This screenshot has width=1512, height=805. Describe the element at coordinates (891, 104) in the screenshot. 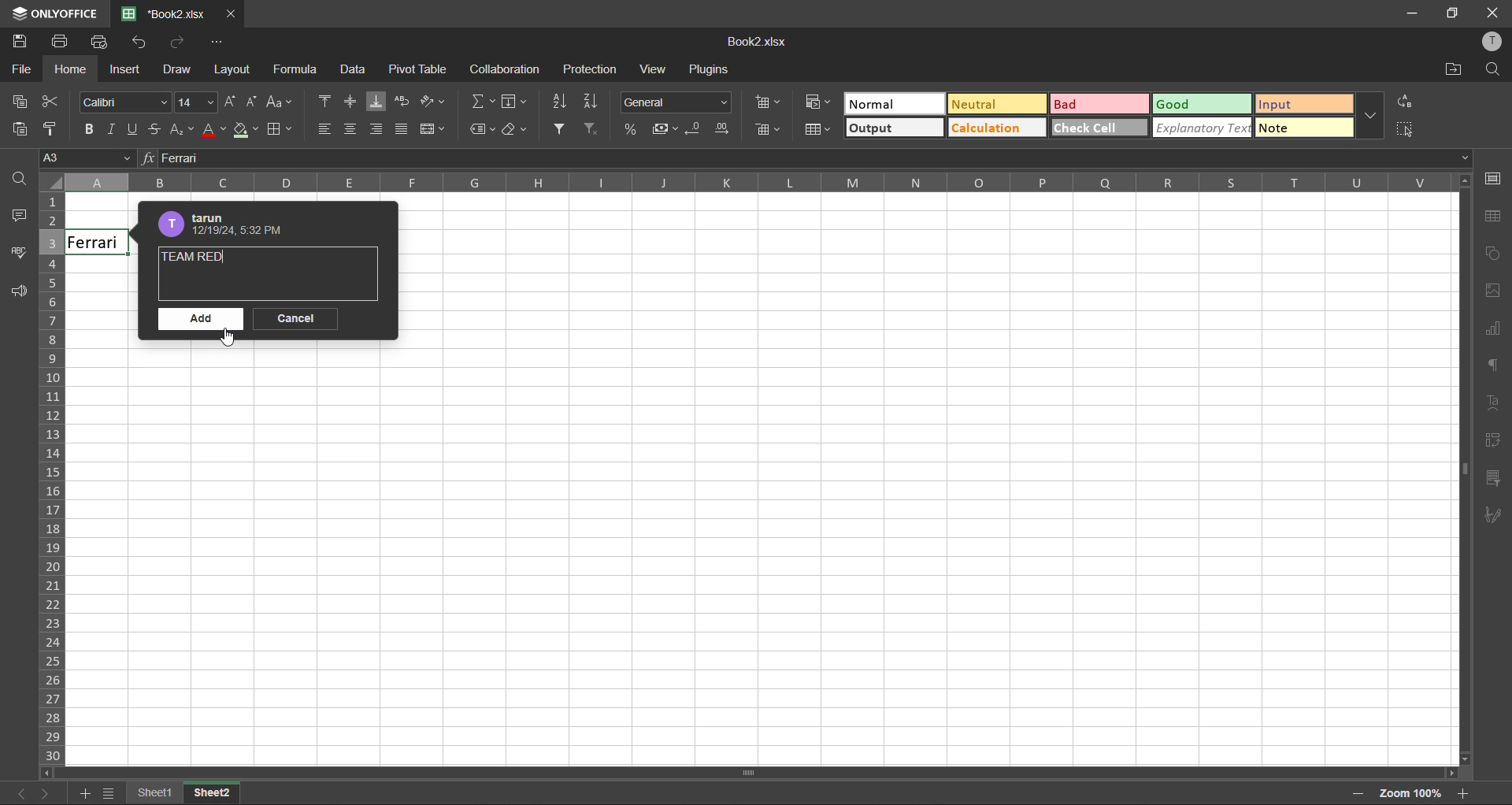

I see `normal` at that location.